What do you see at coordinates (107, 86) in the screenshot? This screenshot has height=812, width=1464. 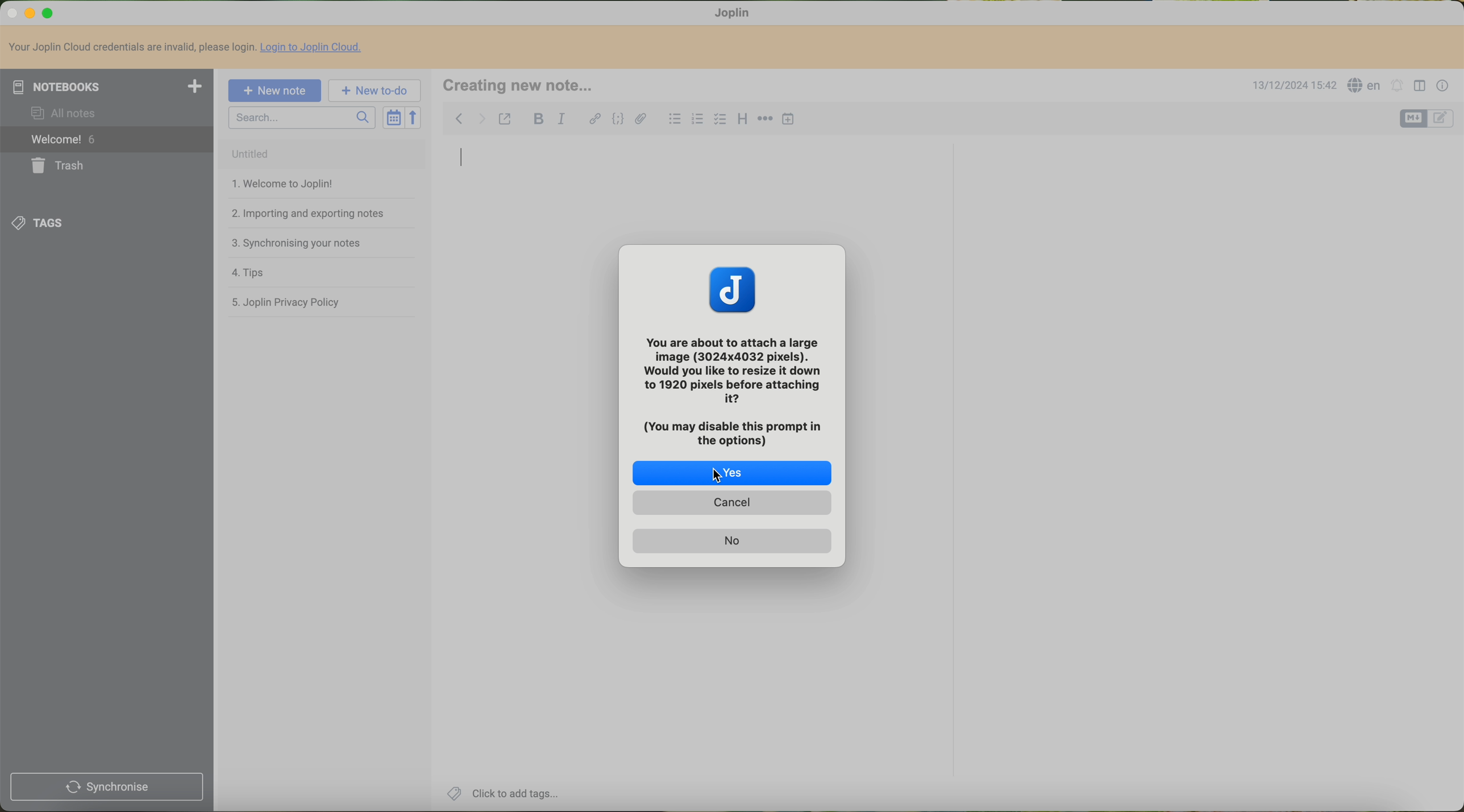 I see `notebooks` at bounding box center [107, 86].